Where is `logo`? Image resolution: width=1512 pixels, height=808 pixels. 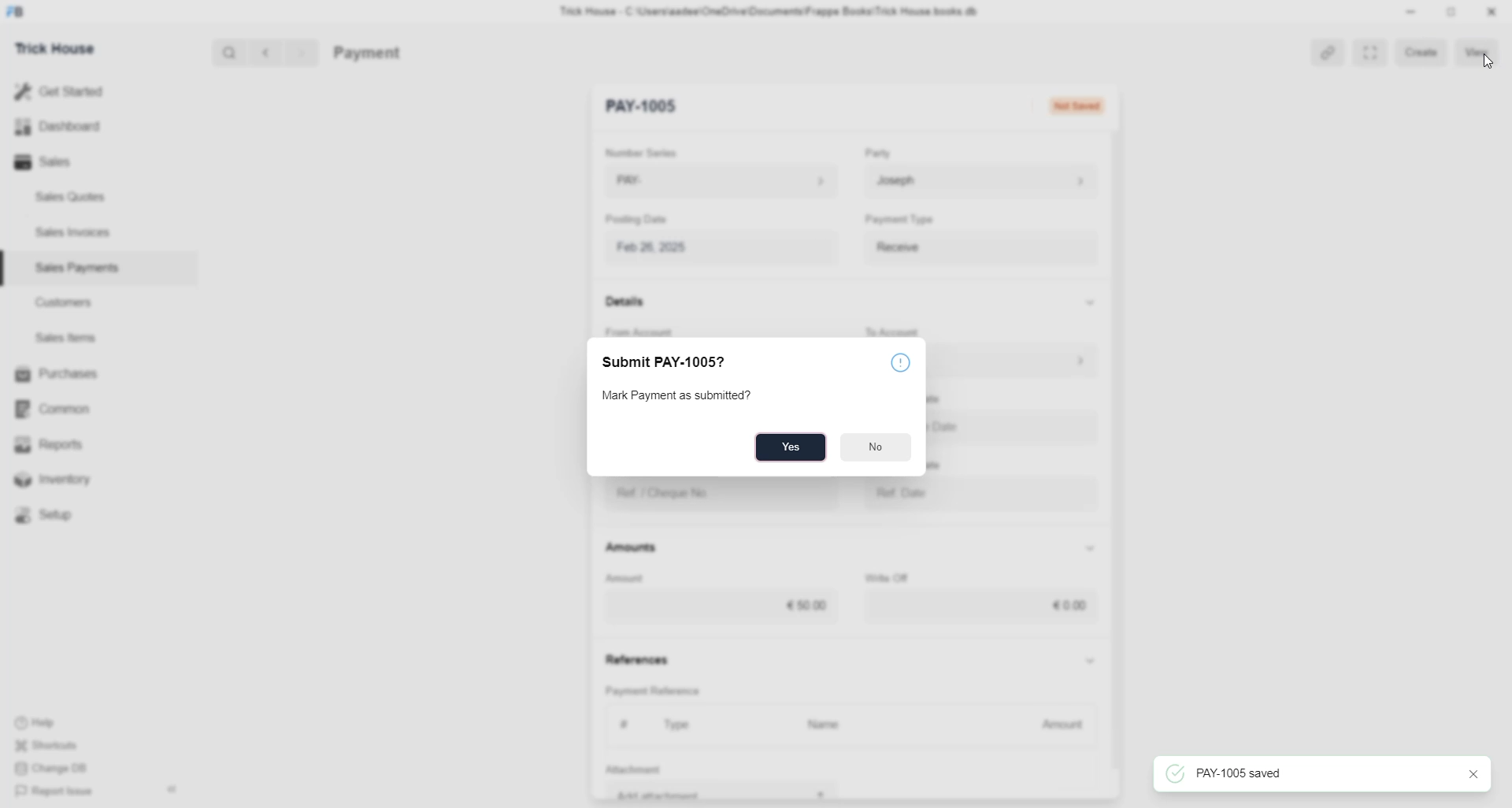 logo is located at coordinates (17, 12).